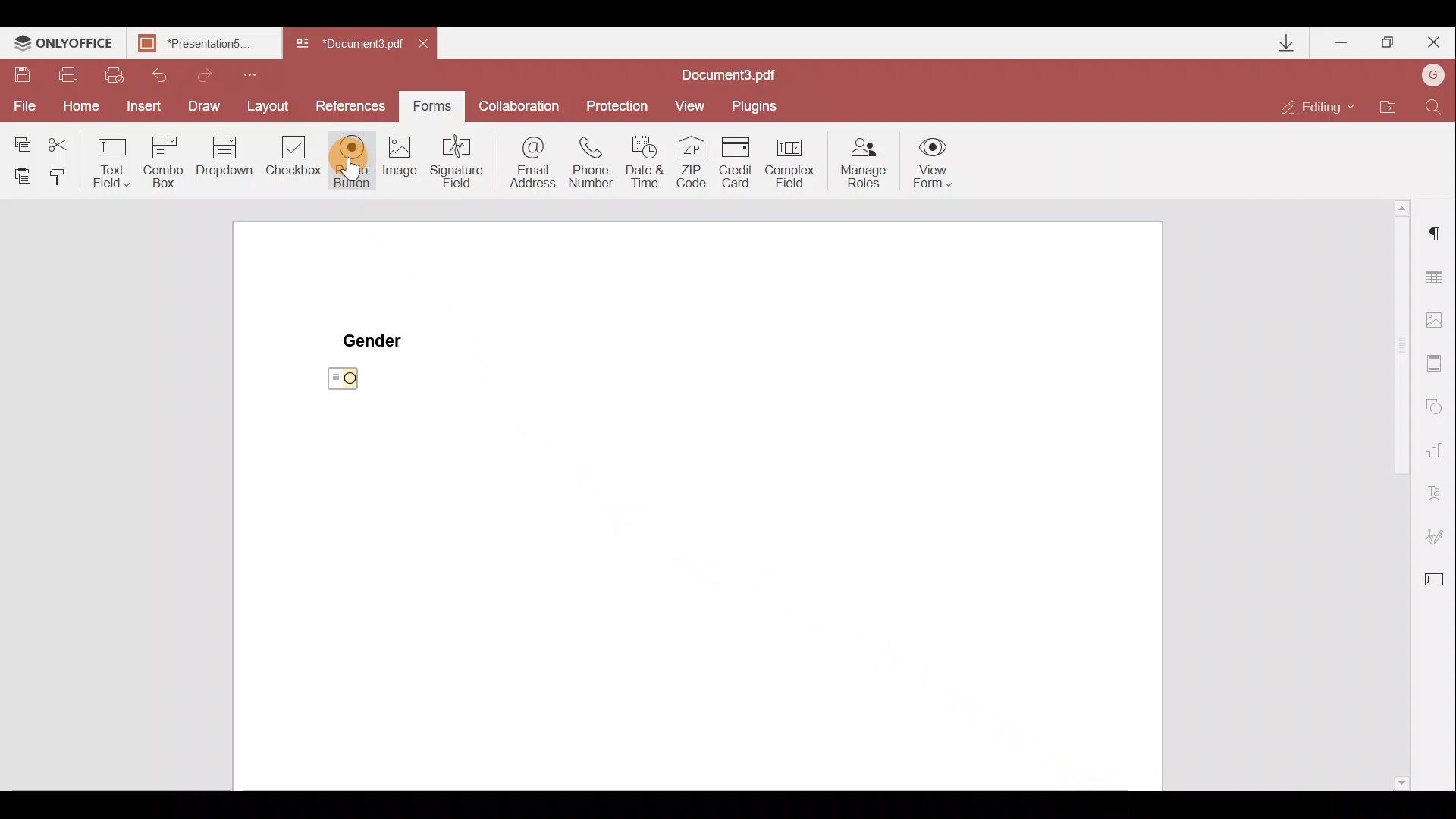  Describe the element at coordinates (63, 45) in the screenshot. I see `ONLYOFFICE` at that location.